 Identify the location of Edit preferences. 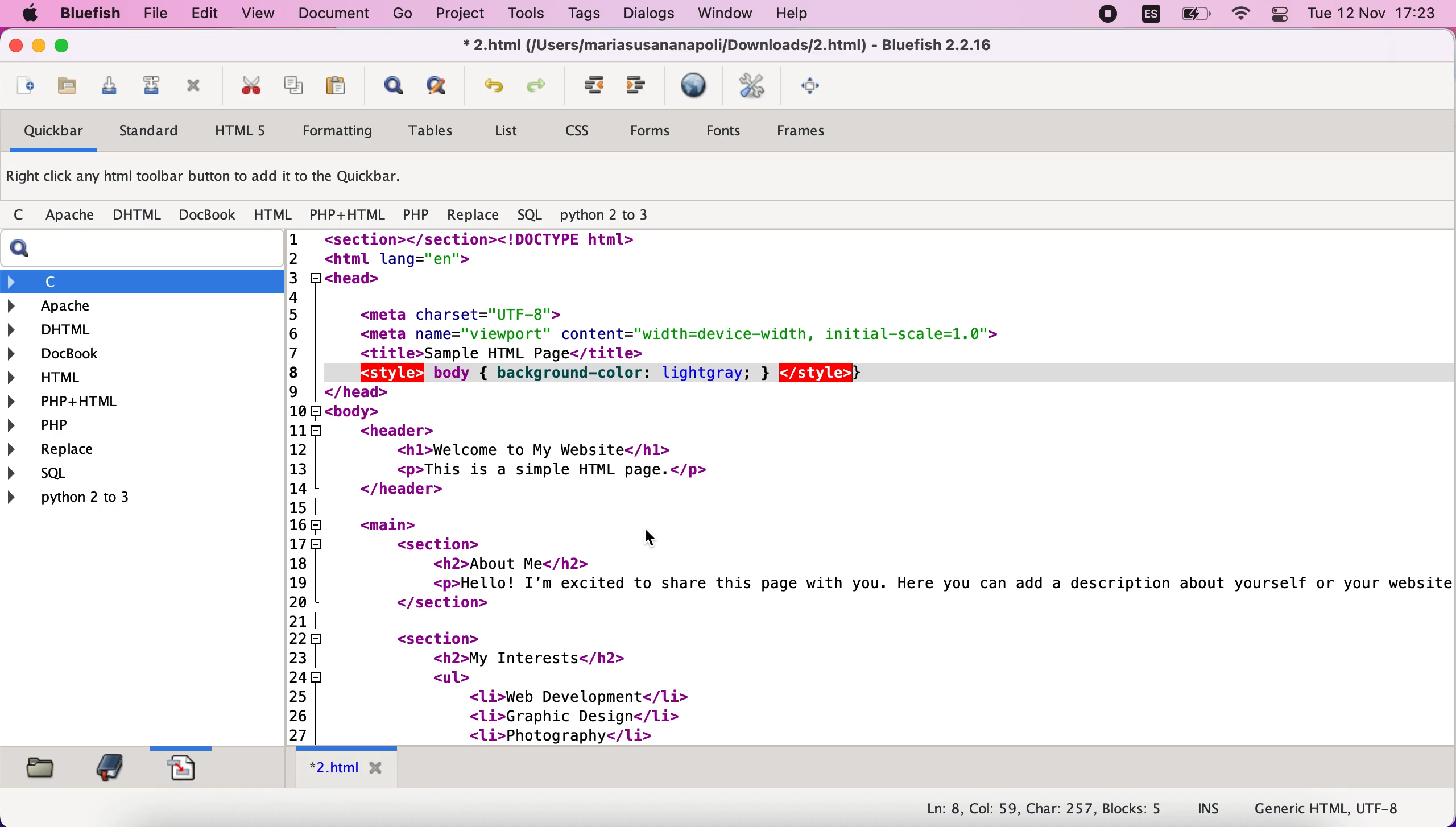
(758, 87).